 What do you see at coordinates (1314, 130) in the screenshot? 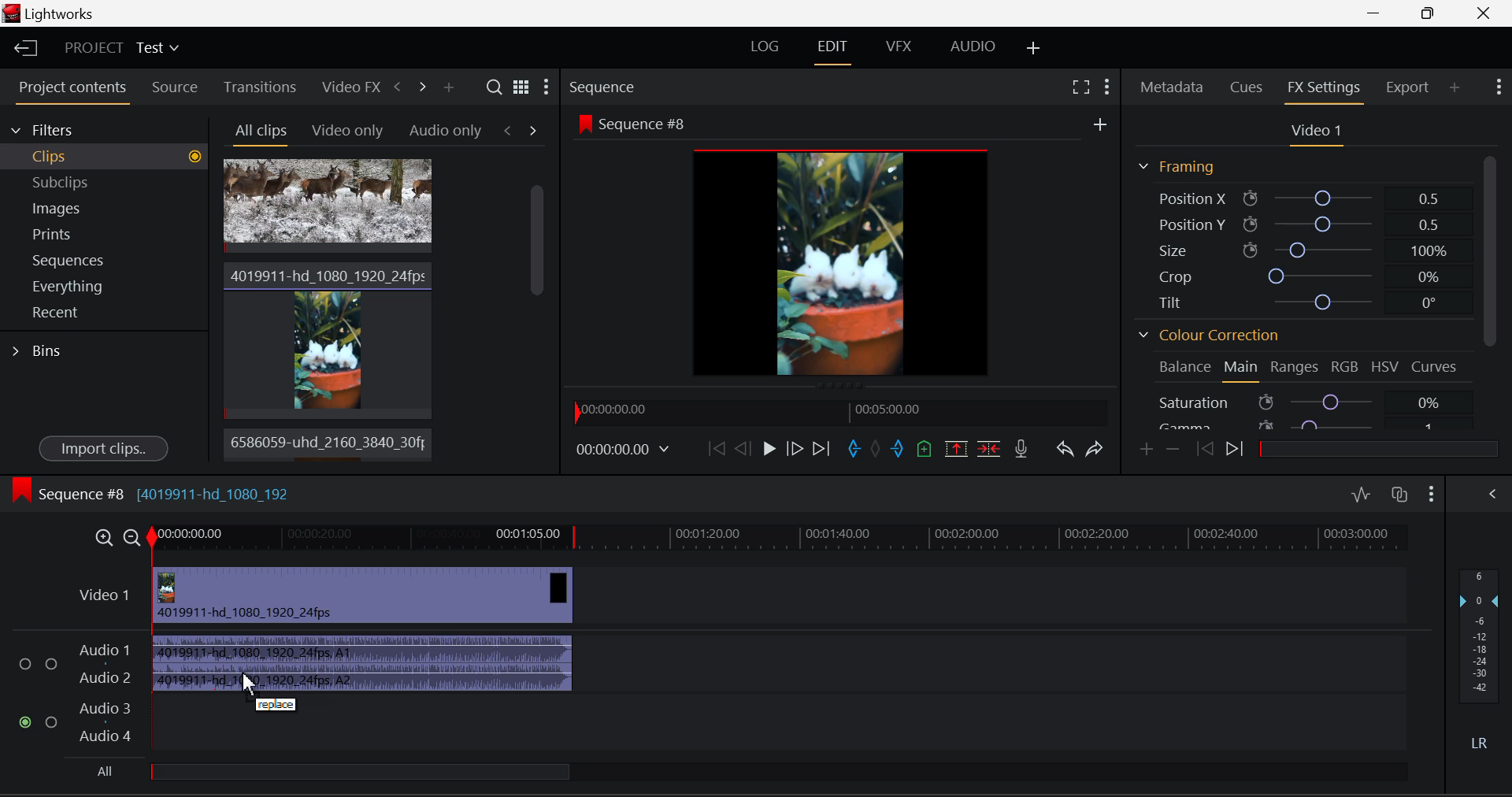
I see `Video Settings` at bounding box center [1314, 130].